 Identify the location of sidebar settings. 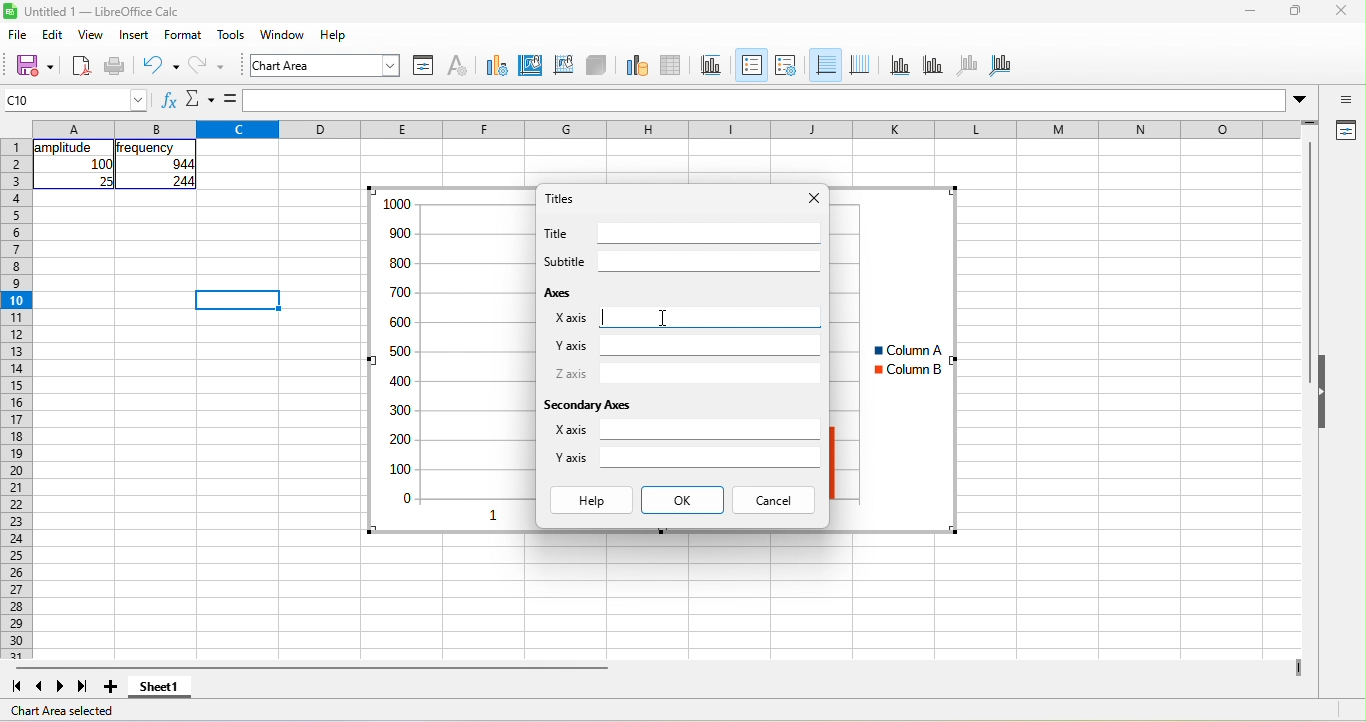
(1344, 99).